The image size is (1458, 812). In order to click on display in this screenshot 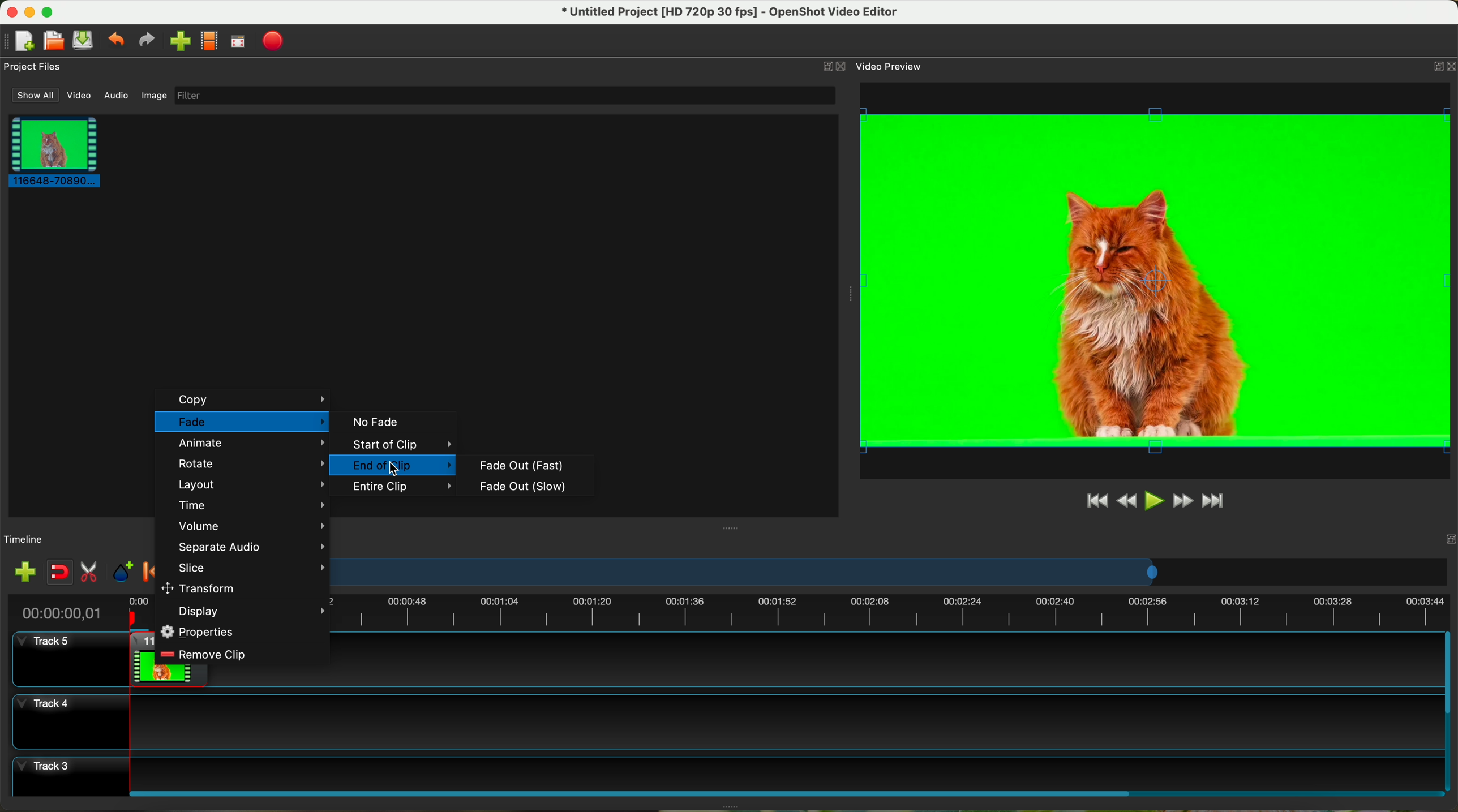, I will do `click(252, 612)`.